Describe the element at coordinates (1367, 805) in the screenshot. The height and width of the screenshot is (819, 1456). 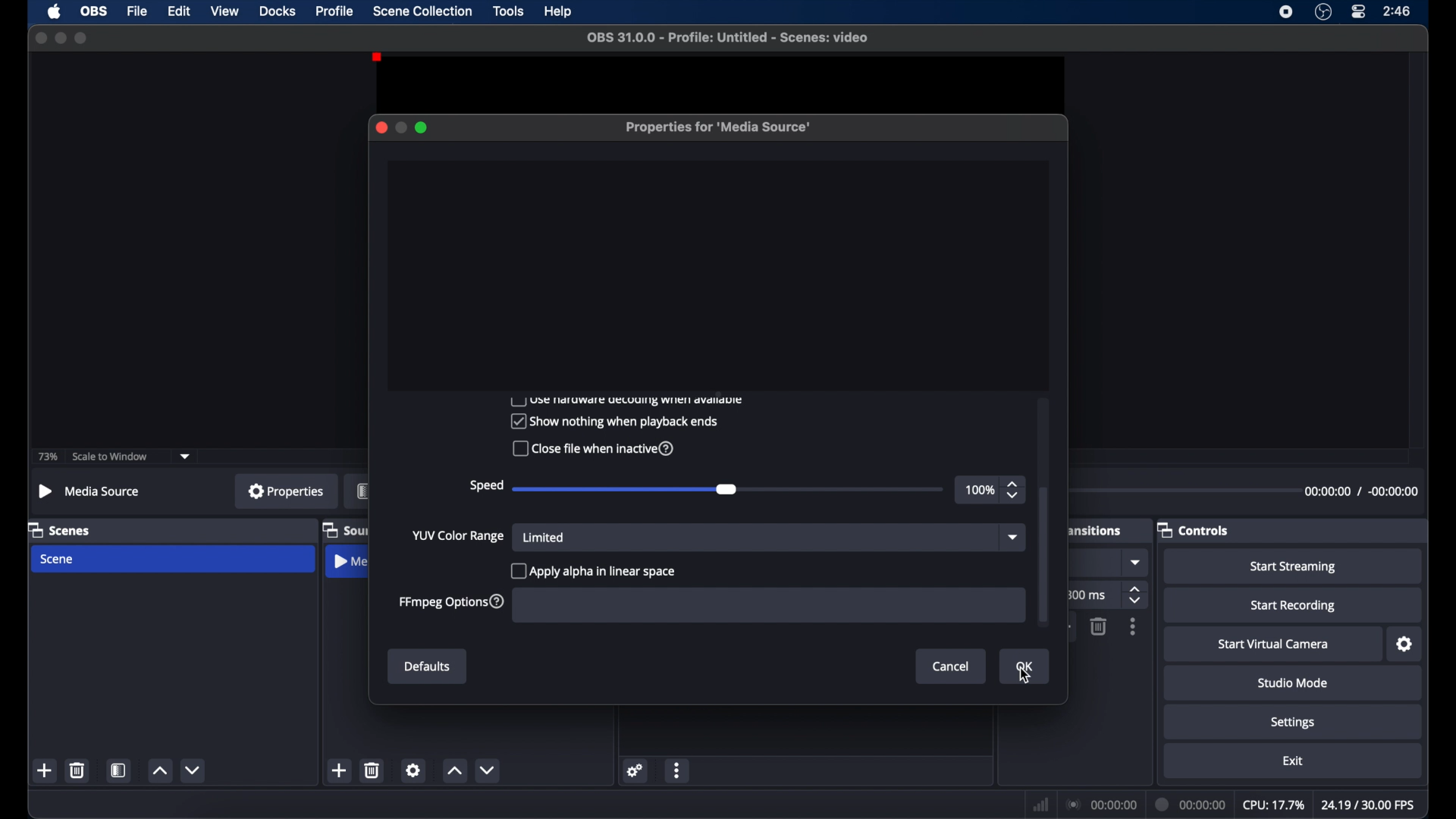
I see `fps` at that location.